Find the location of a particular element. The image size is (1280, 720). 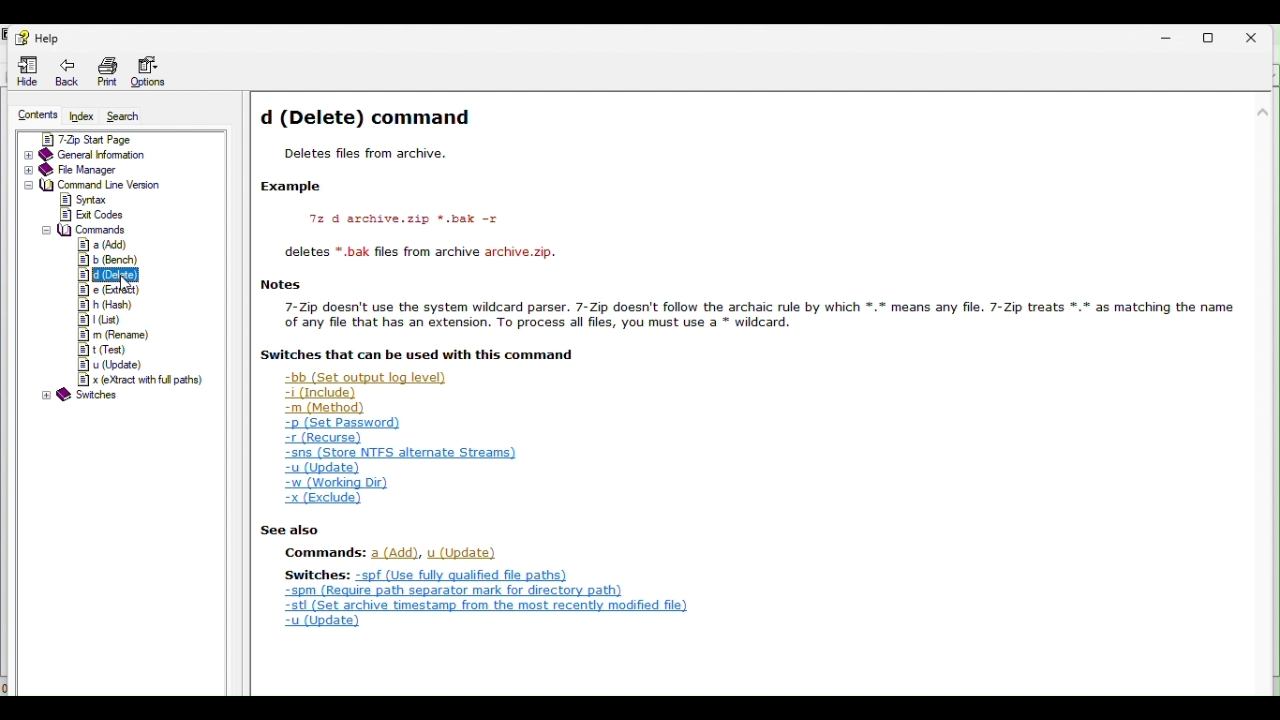

commands is located at coordinates (78, 230).